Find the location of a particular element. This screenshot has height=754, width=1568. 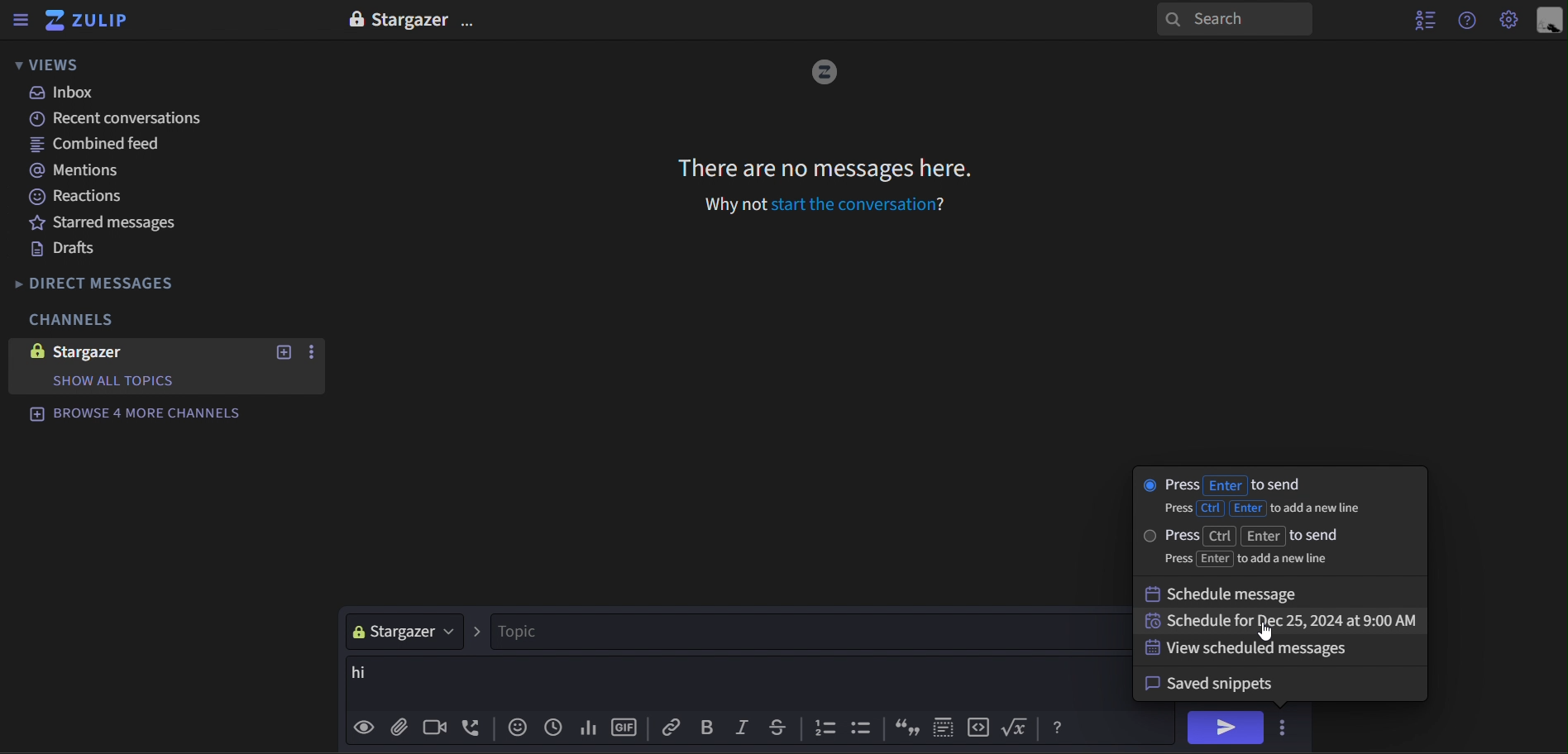

lock is located at coordinates (355, 19).